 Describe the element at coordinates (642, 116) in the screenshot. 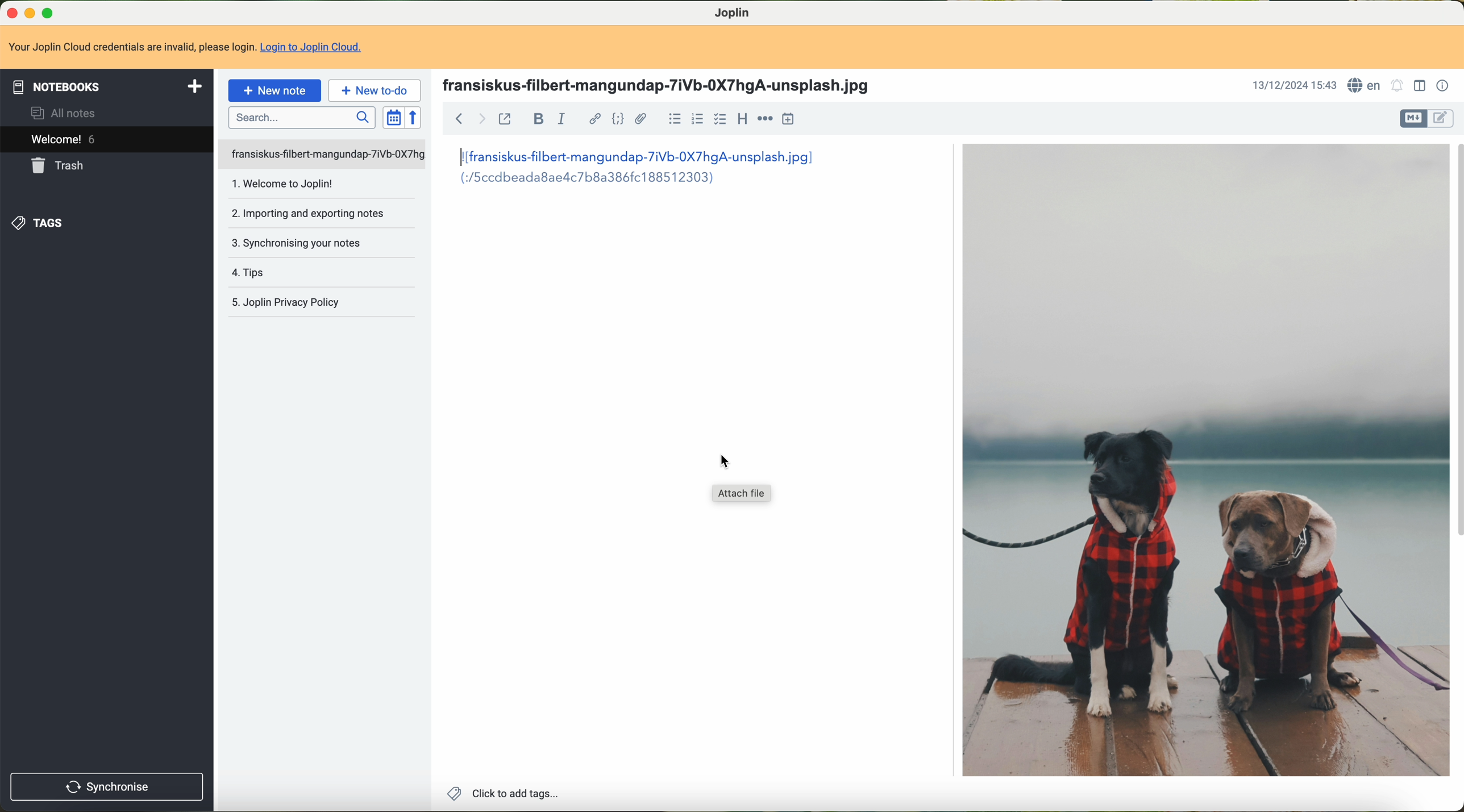

I see `attach file` at that location.